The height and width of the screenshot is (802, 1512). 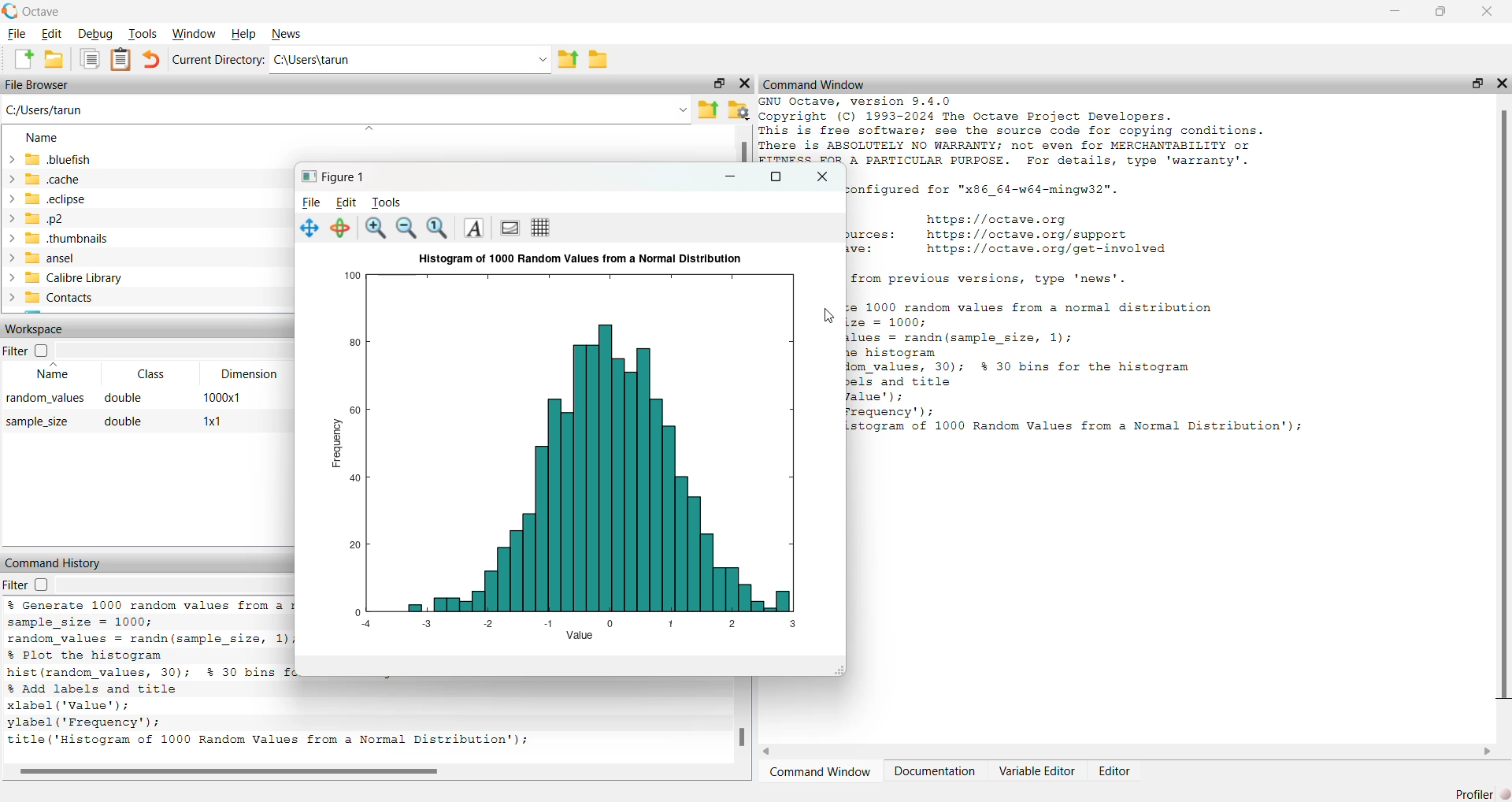 What do you see at coordinates (313, 61) in the screenshot?
I see `C:\Users\tarun` at bounding box center [313, 61].